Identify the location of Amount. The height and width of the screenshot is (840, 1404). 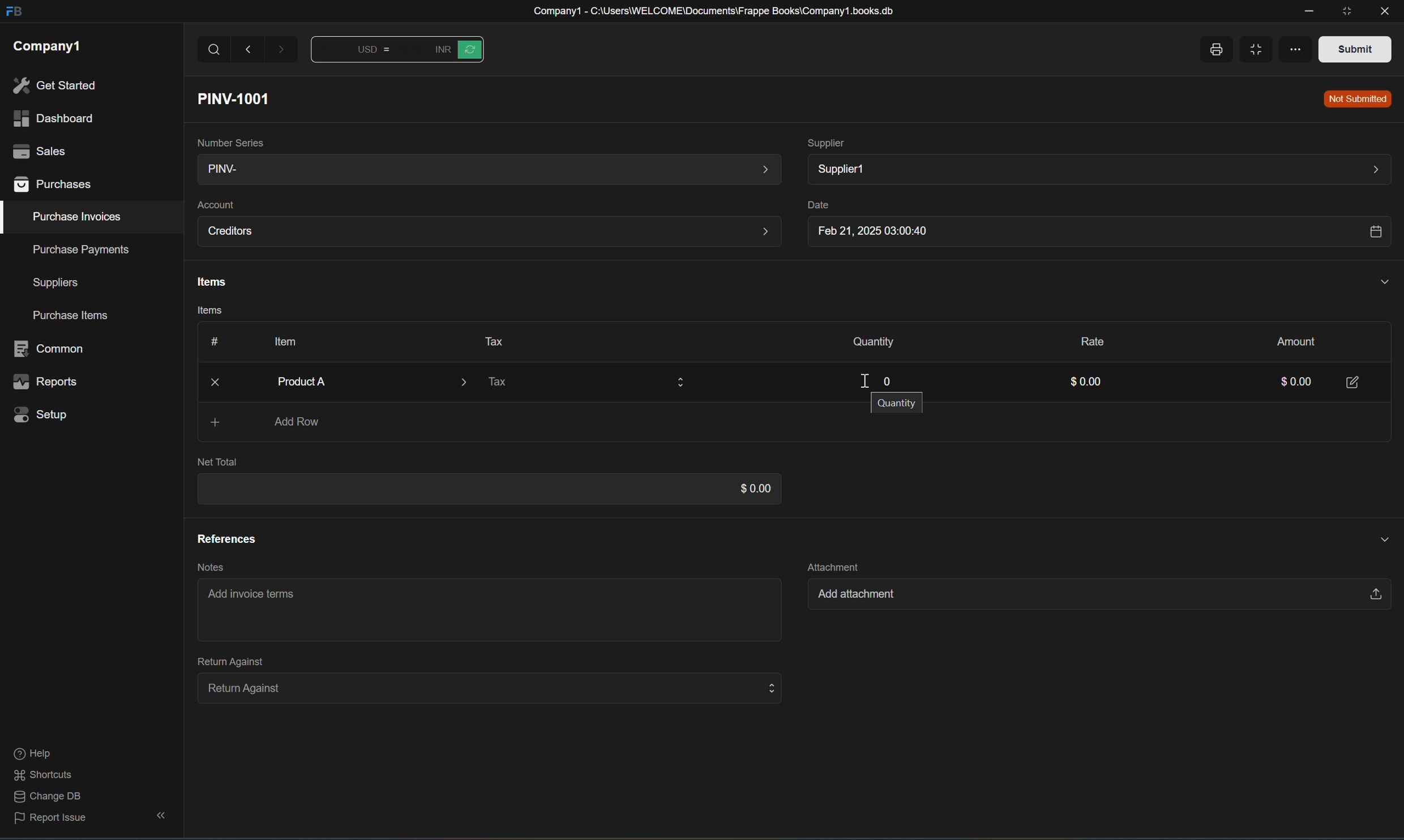
(1290, 340).